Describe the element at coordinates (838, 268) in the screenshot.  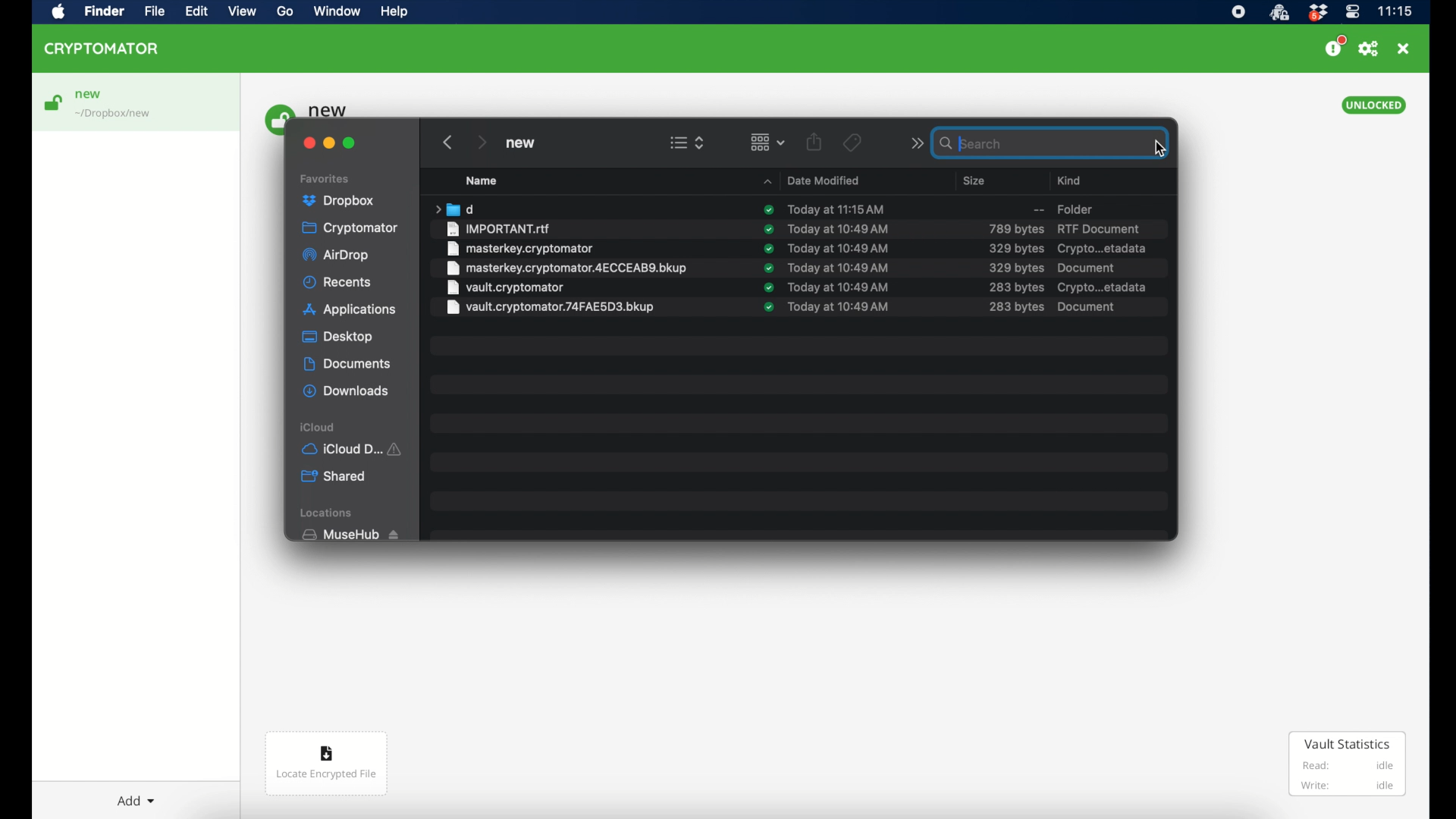
I see `date` at that location.